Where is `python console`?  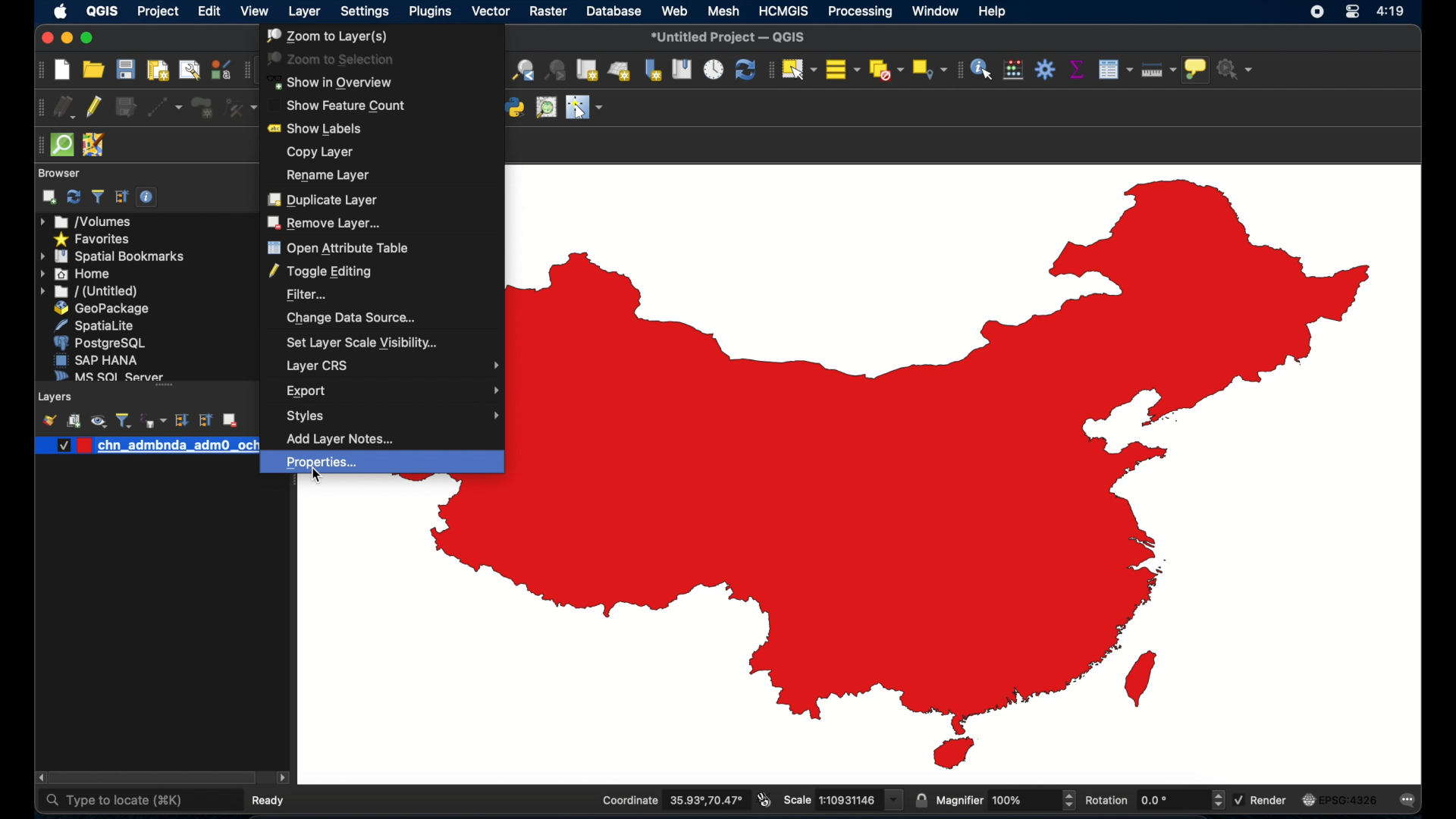
python console is located at coordinates (515, 108).